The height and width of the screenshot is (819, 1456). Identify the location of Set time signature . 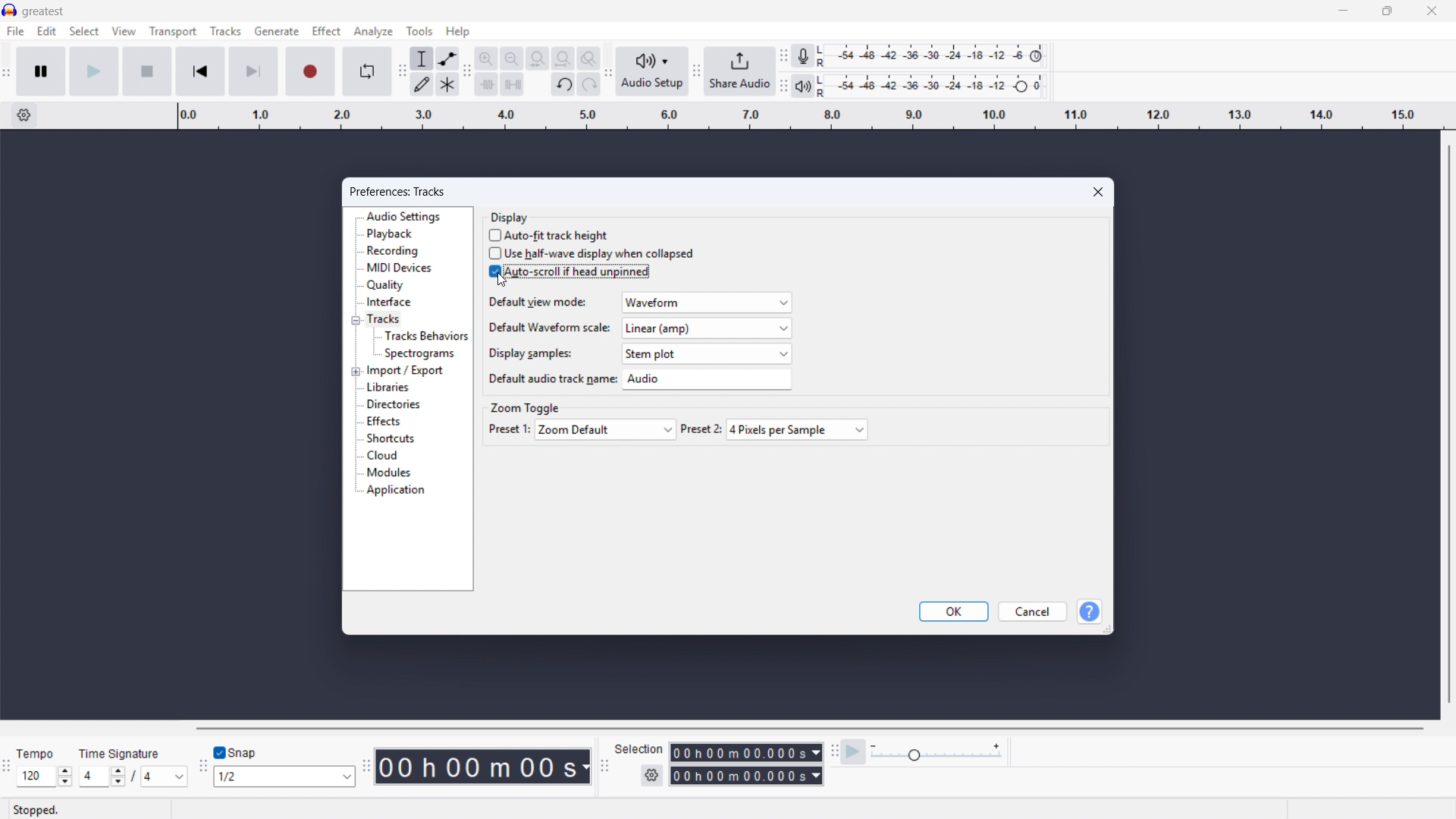
(133, 777).